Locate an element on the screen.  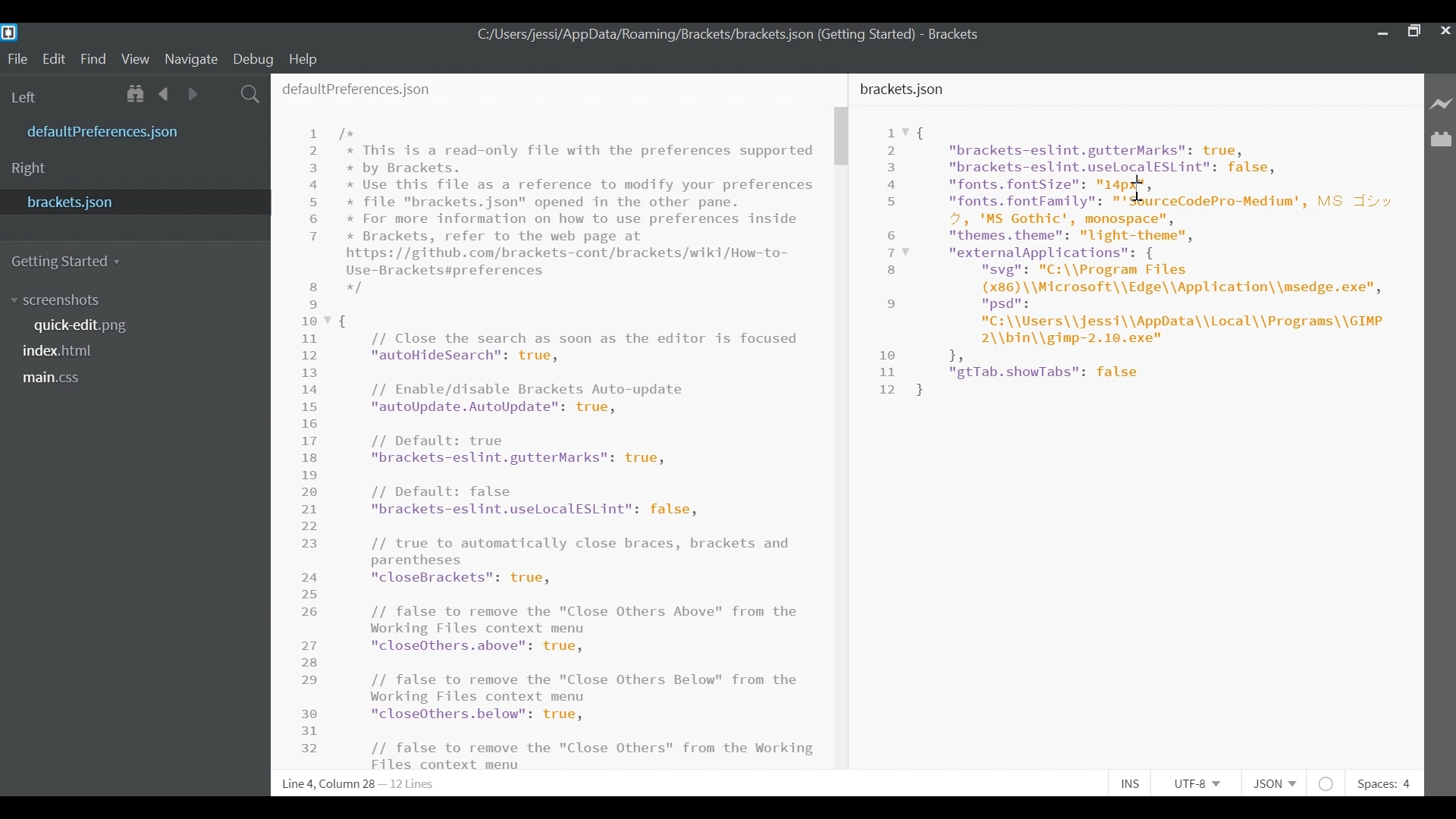
Find in files is located at coordinates (250, 94).